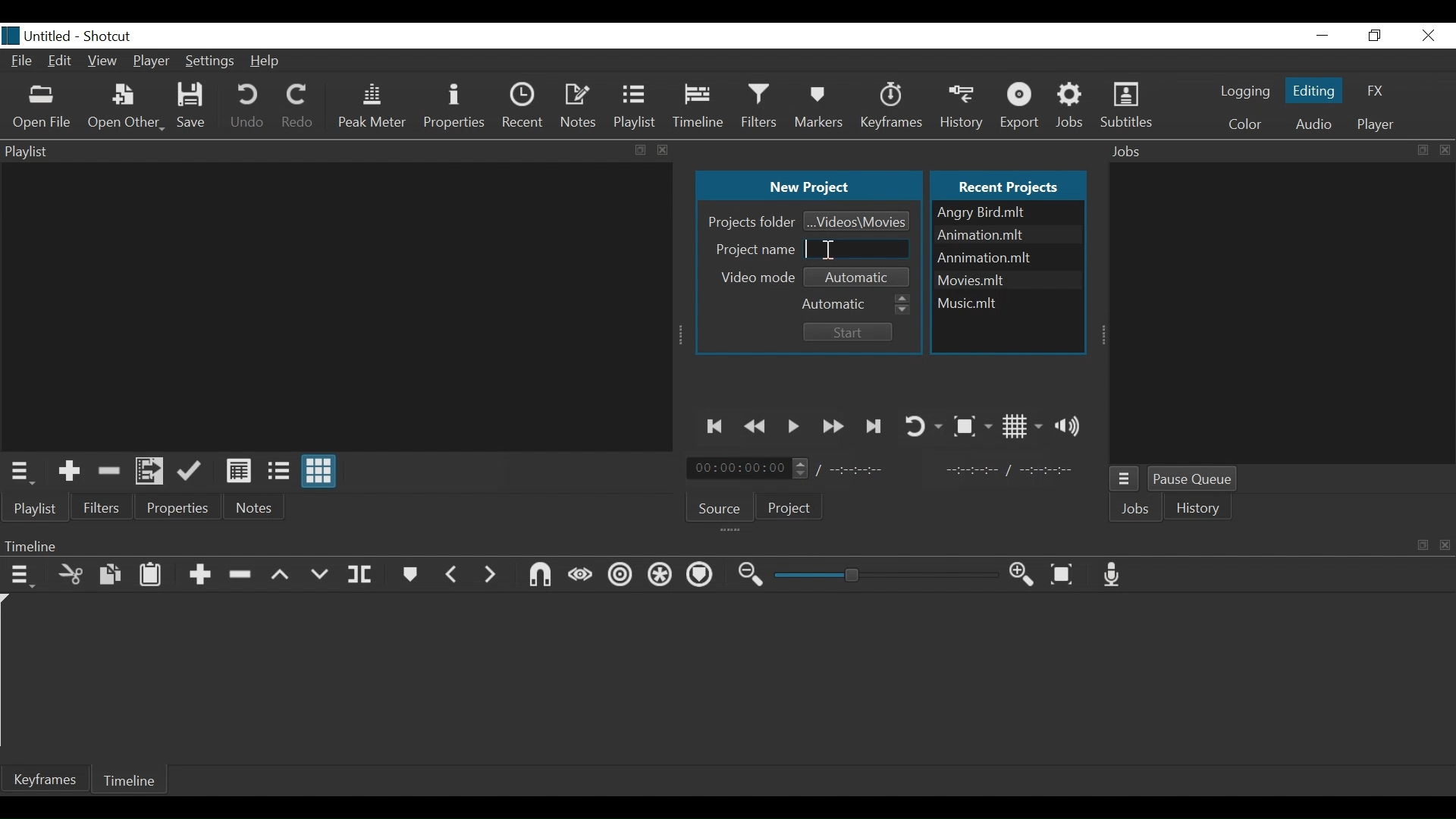 This screenshot has height=819, width=1456. Describe the element at coordinates (1376, 92) in the screenshot. I see `FX` at that location.